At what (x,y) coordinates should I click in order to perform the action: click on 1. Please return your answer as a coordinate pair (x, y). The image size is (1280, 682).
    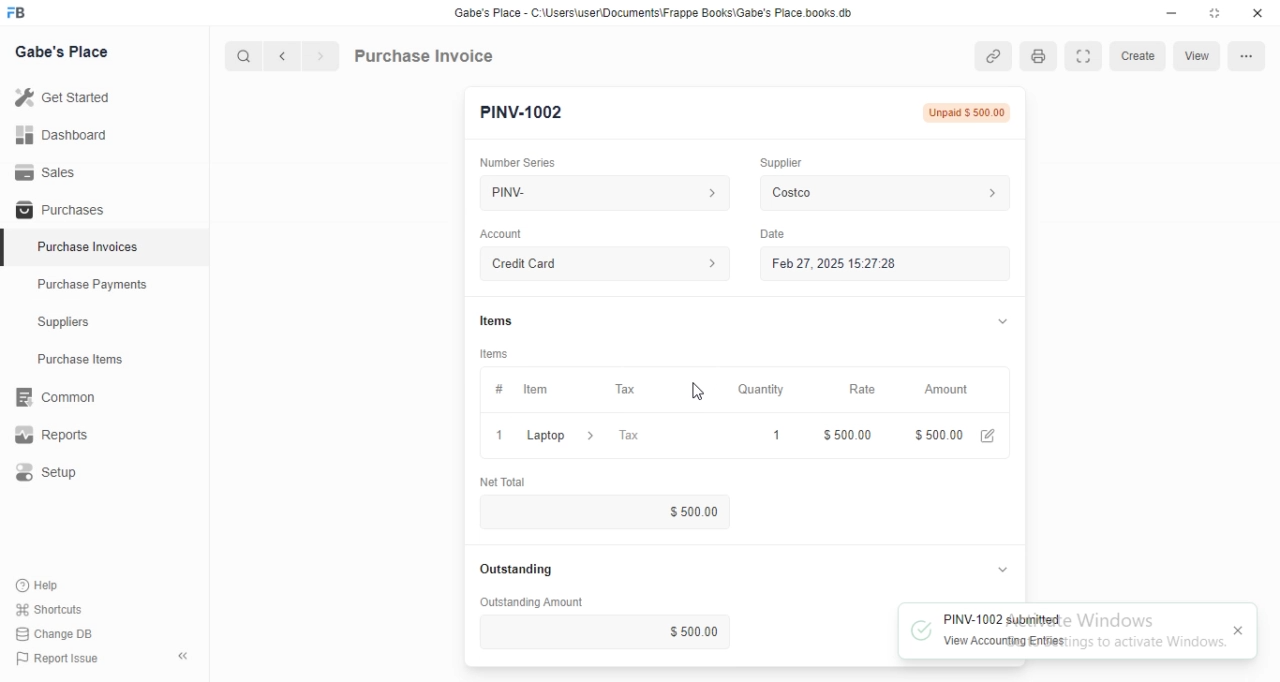
    Looking at the image, I should click on (752, 435).